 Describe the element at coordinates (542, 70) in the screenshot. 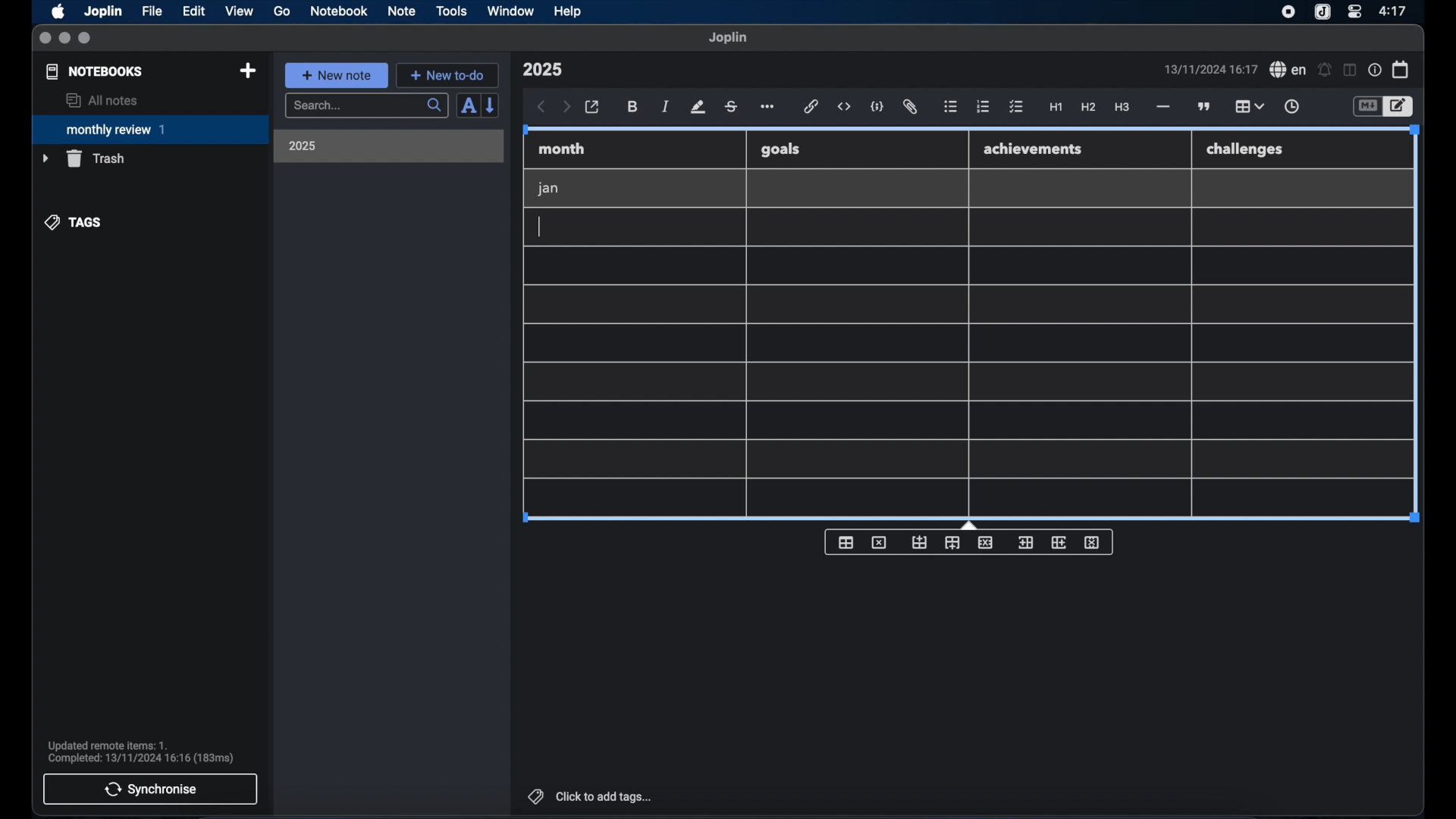

I see `note title` at that location.